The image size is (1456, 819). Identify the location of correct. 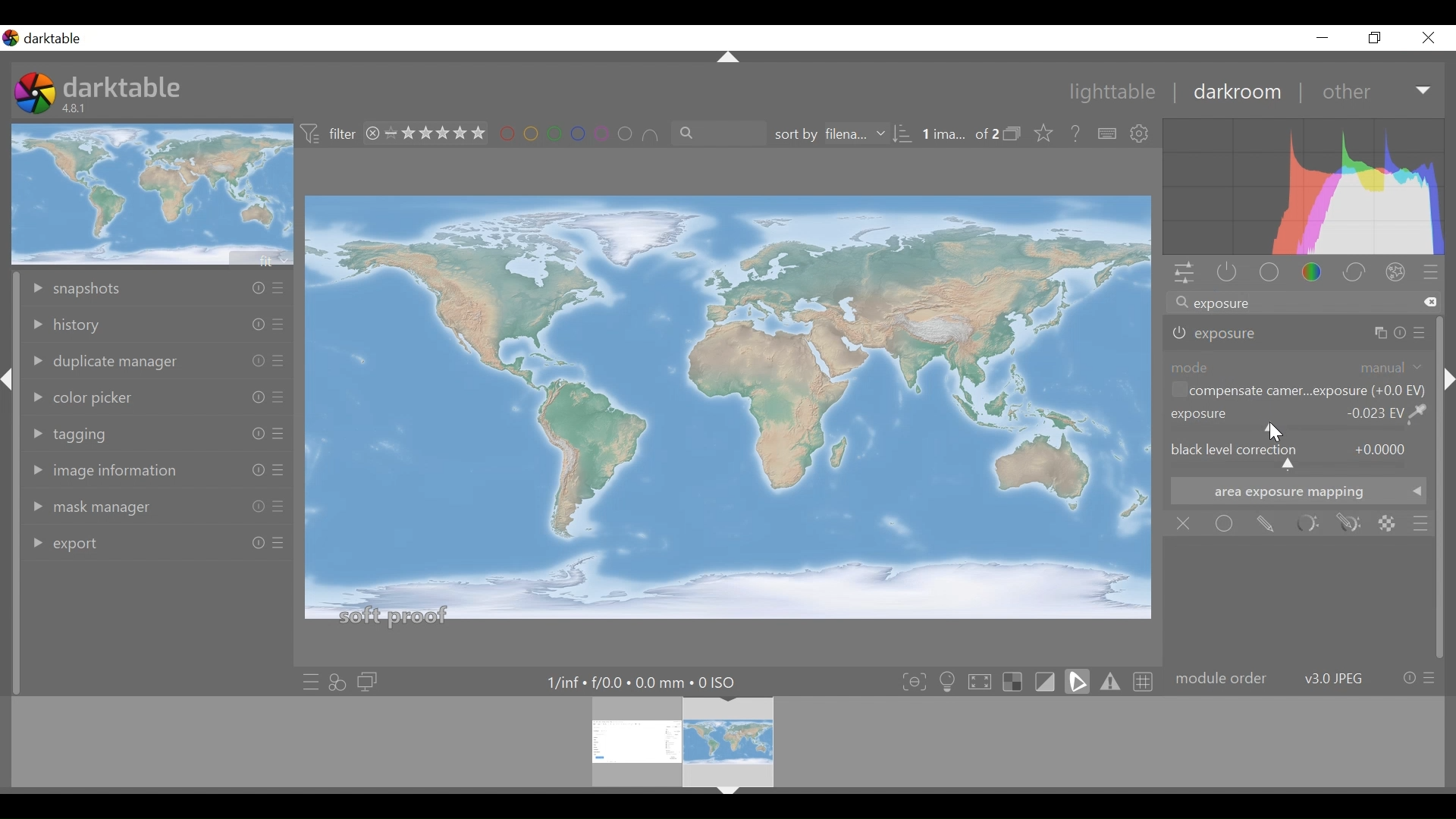
(1357, 274).